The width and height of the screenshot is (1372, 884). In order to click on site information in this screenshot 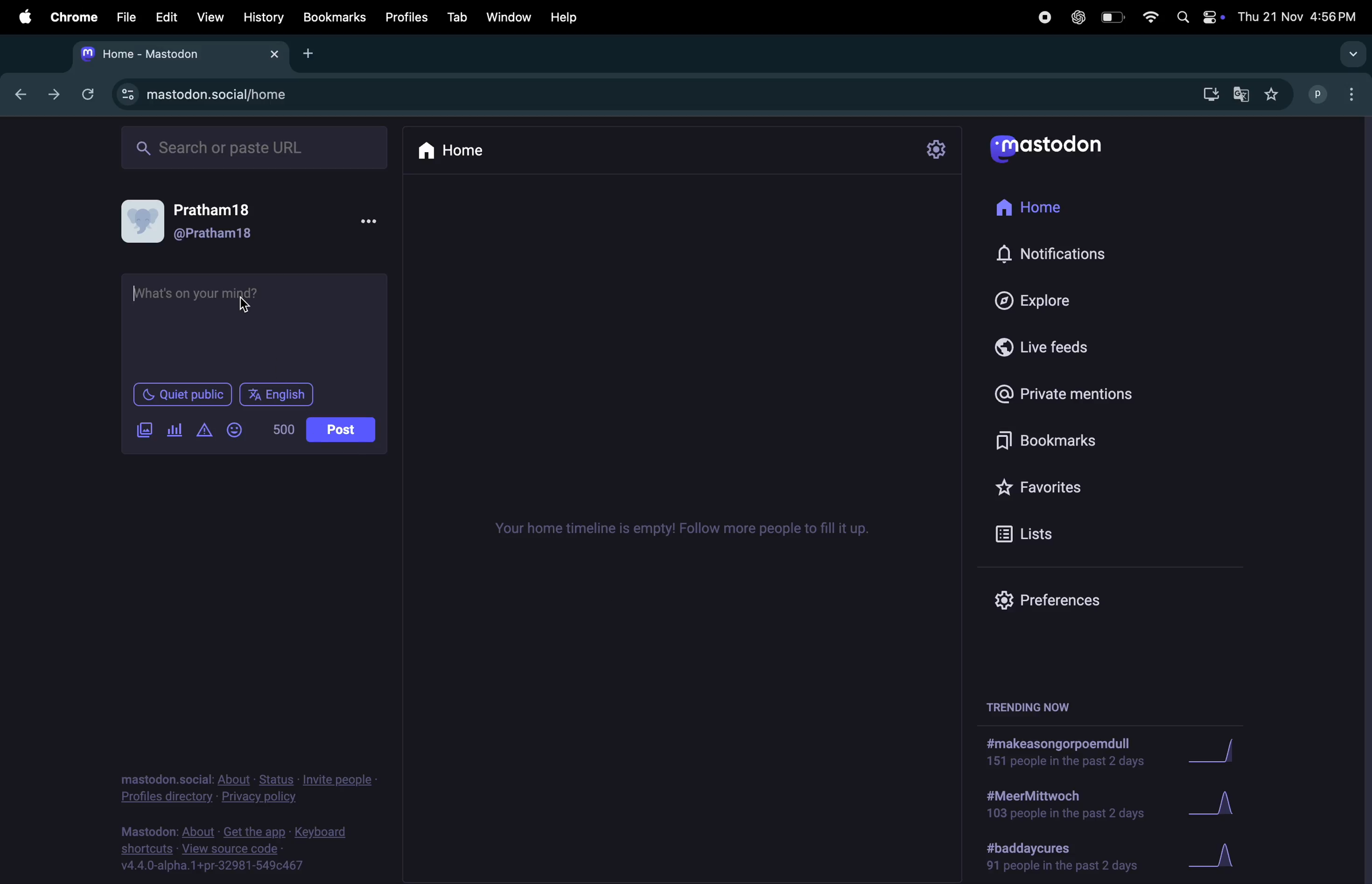, I will do `click(127, 94)`.